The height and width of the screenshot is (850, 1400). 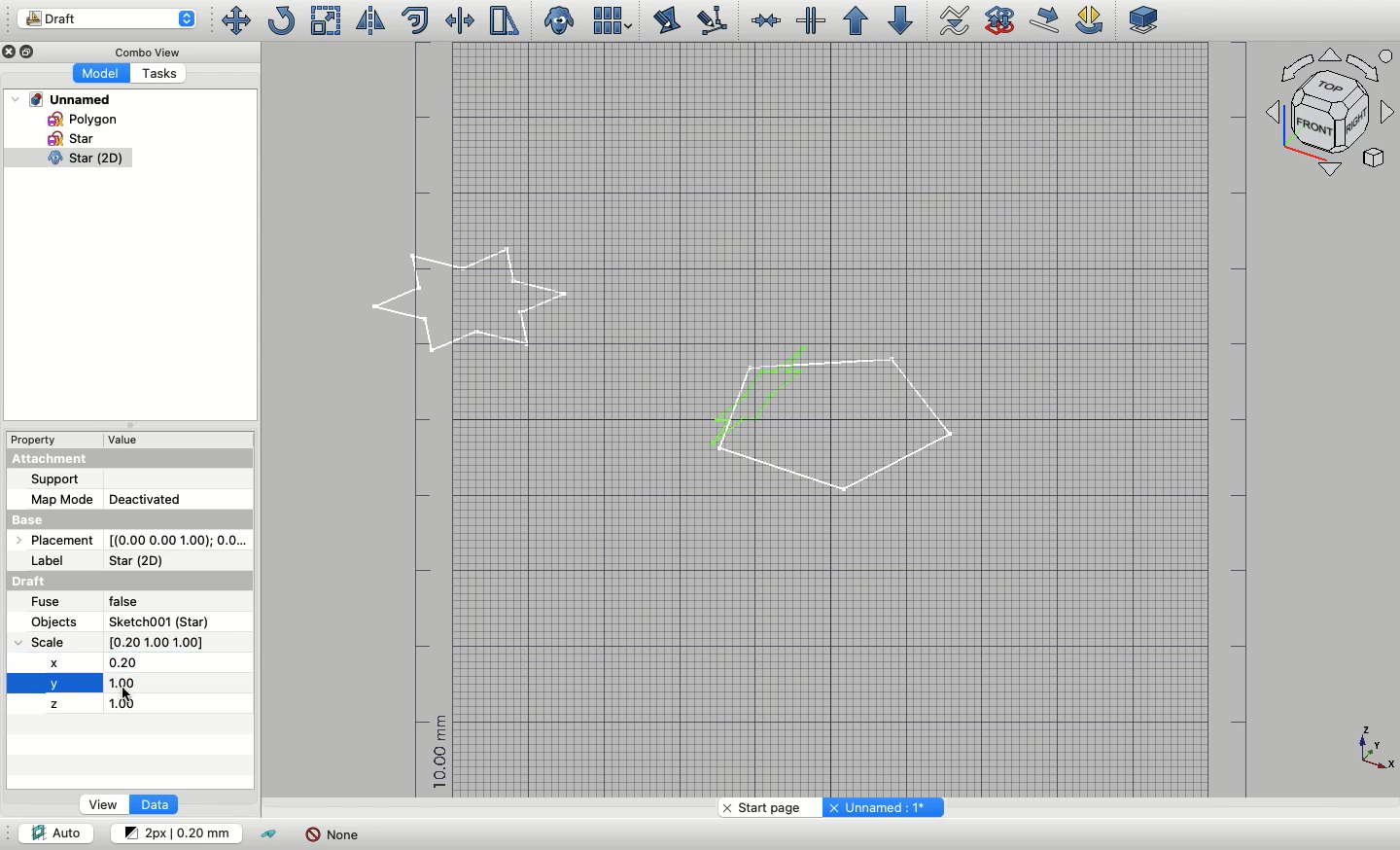 I want to click on Star selected, so click(x=472, y=301).